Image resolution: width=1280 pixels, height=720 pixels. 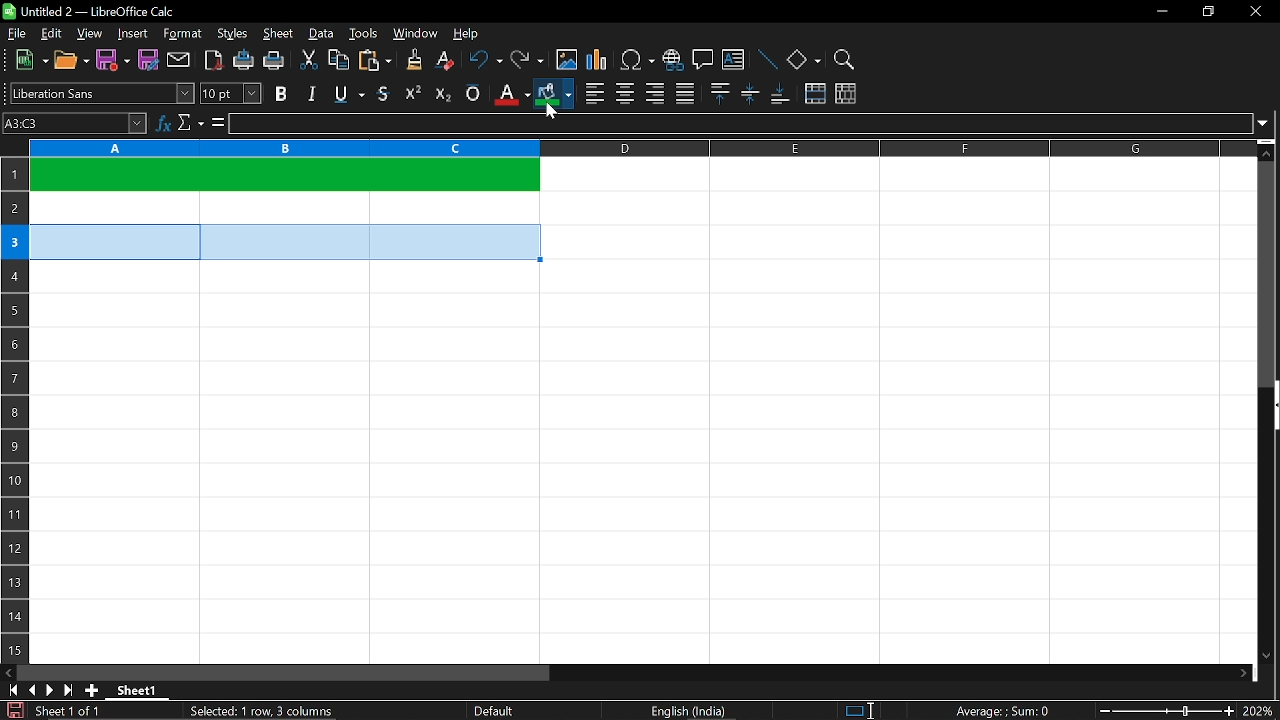 I want to click on text style, so click(x=103, y=94).